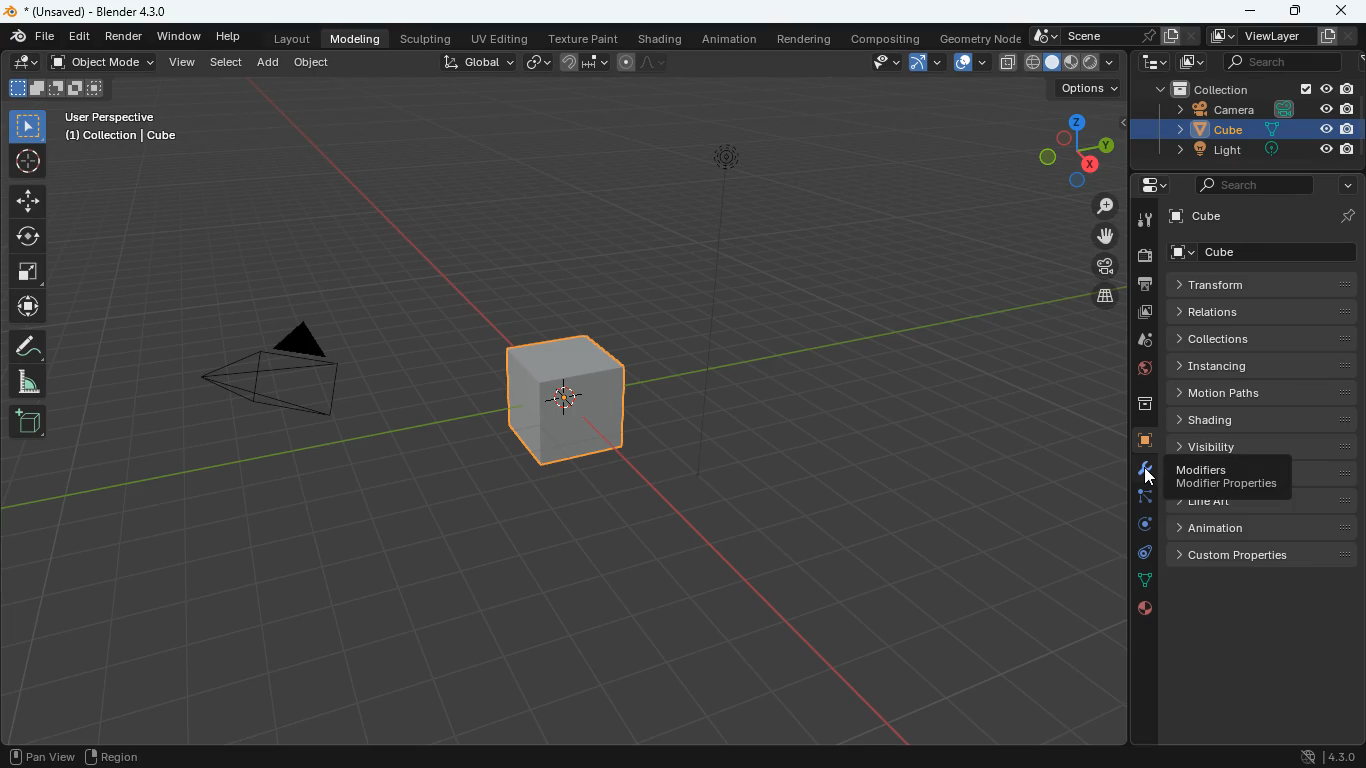 This screenshot has height=768, width=1366. What do you see at coordinates (1344, 10) in the screenshot?
I see `close` at bounding box center [1344, 10].